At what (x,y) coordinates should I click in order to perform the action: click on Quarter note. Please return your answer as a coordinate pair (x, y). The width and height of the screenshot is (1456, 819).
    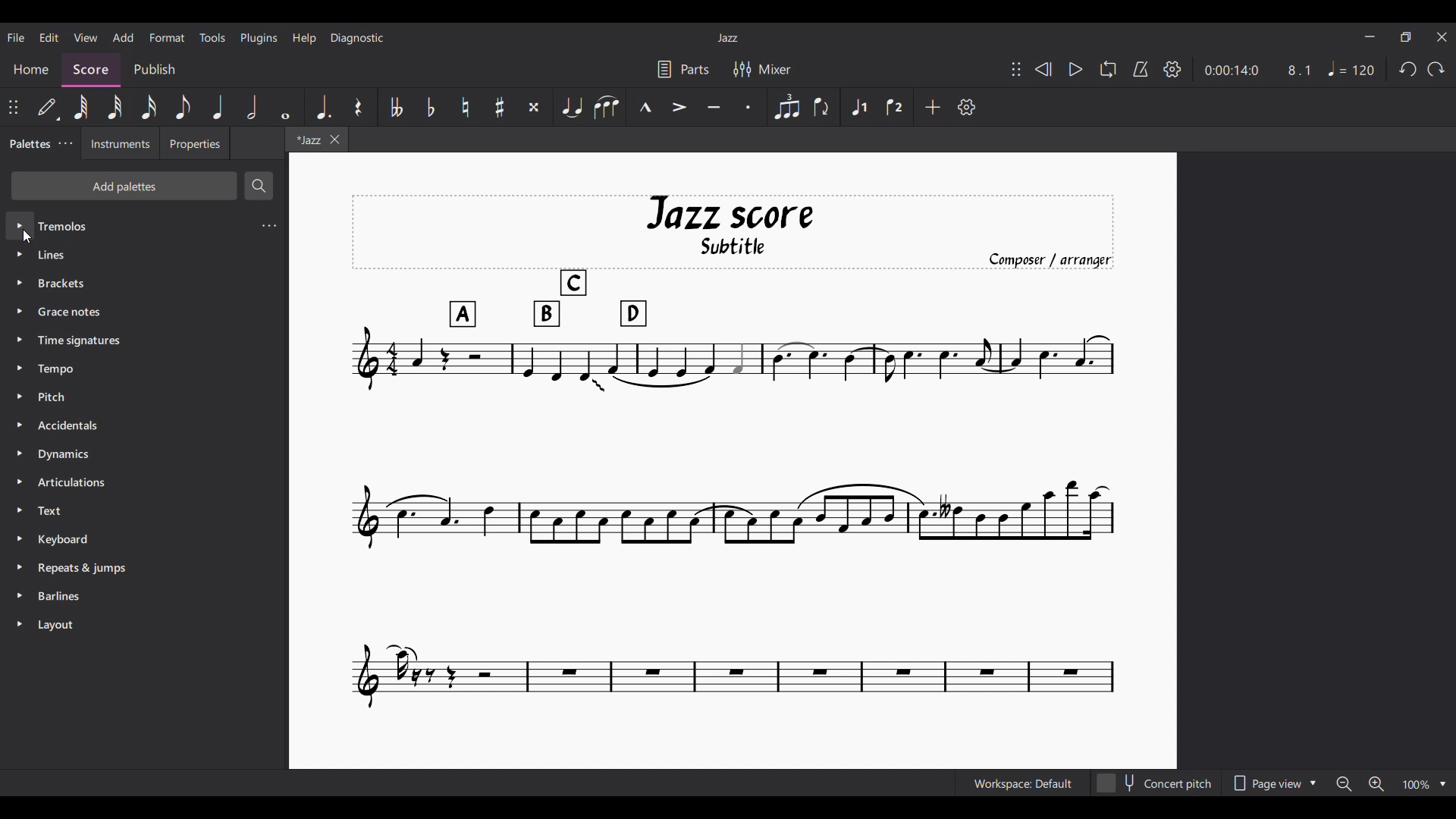
    Looking at the image, I should click on (218, 106).